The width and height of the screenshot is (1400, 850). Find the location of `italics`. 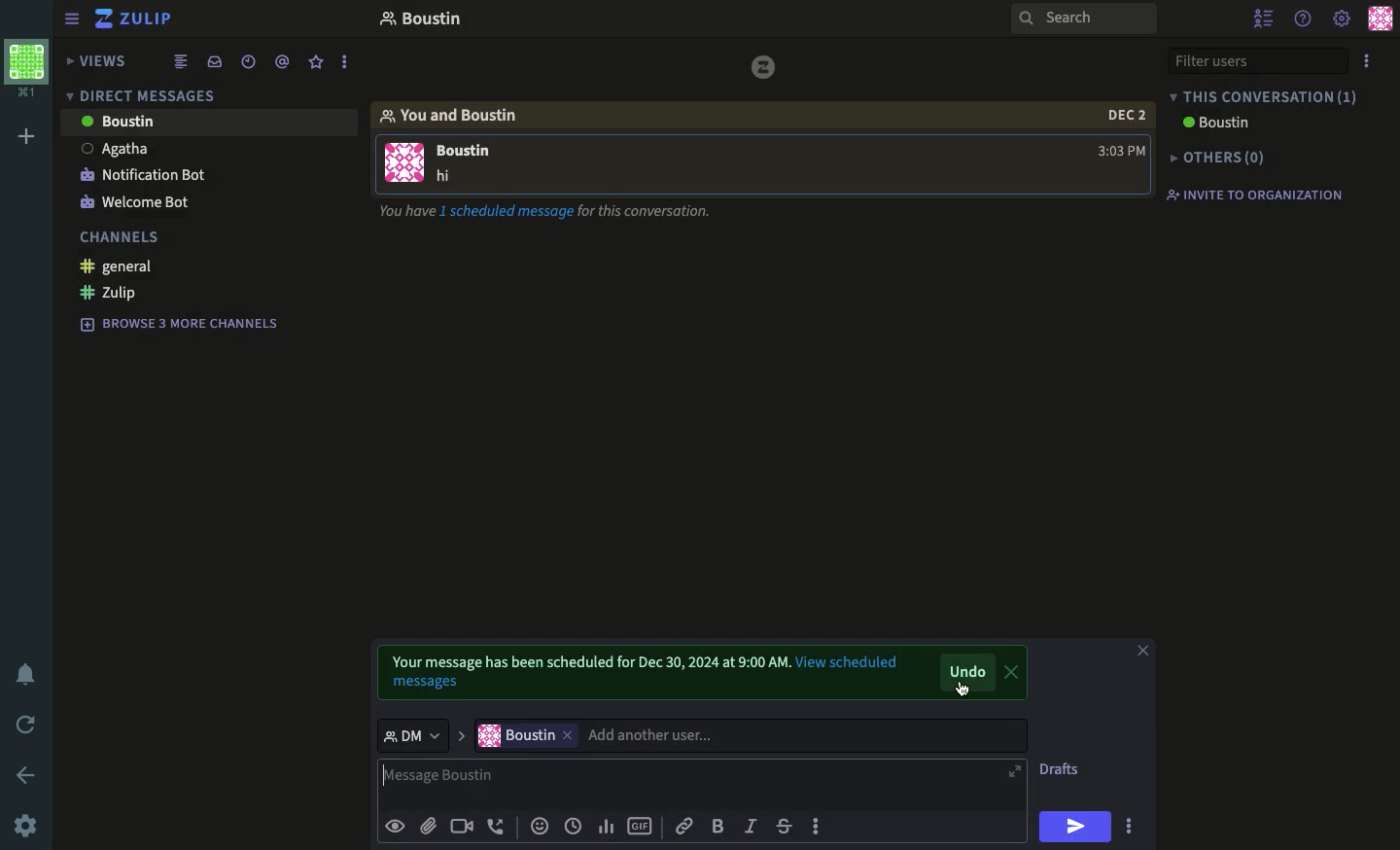

italics is located at coordinates (752, 825).